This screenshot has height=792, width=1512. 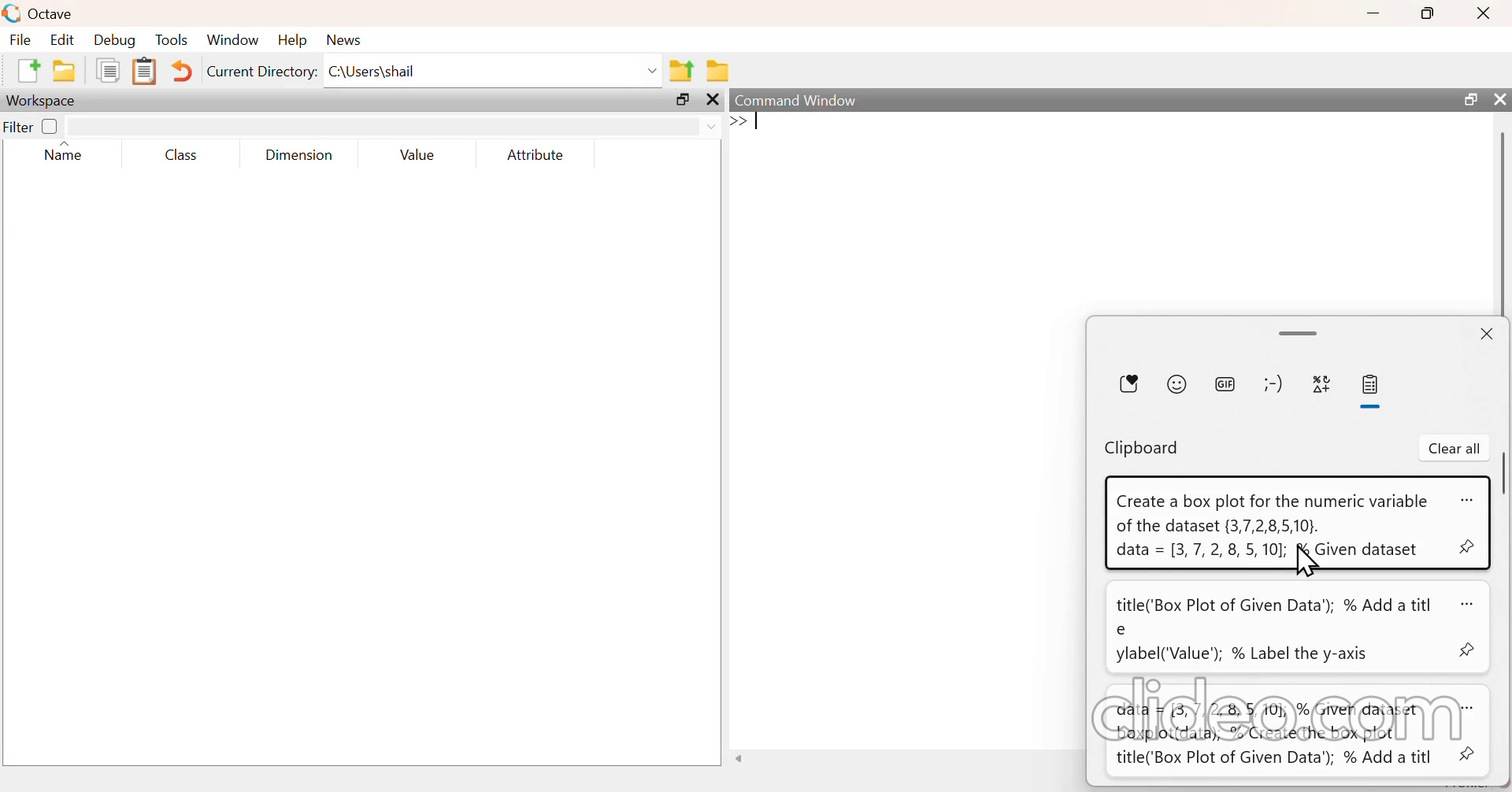 I want to click on pin, so click(x=1477, y=757).